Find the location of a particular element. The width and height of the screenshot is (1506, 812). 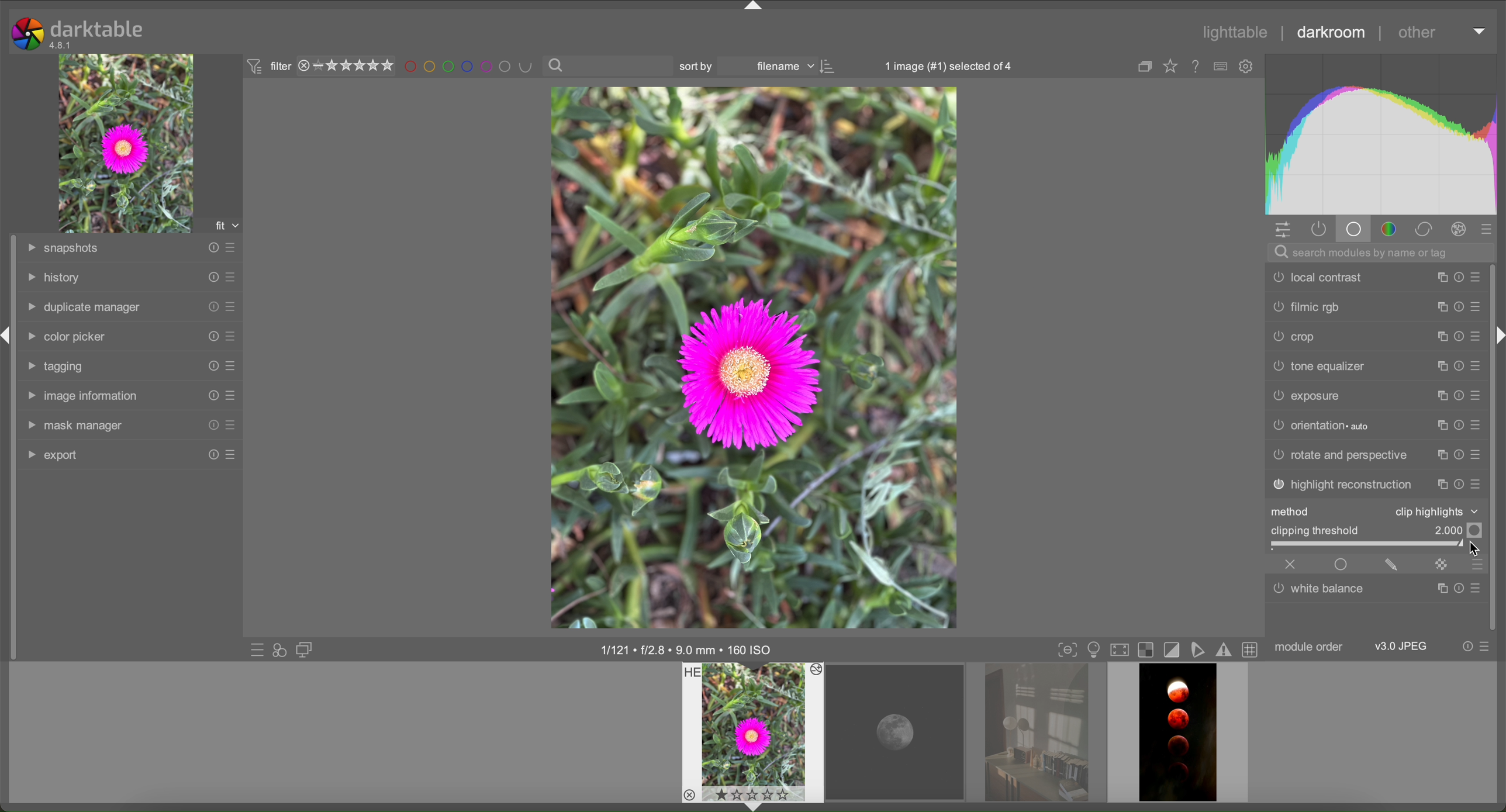

image information tab is located at coordinates (81, 396).